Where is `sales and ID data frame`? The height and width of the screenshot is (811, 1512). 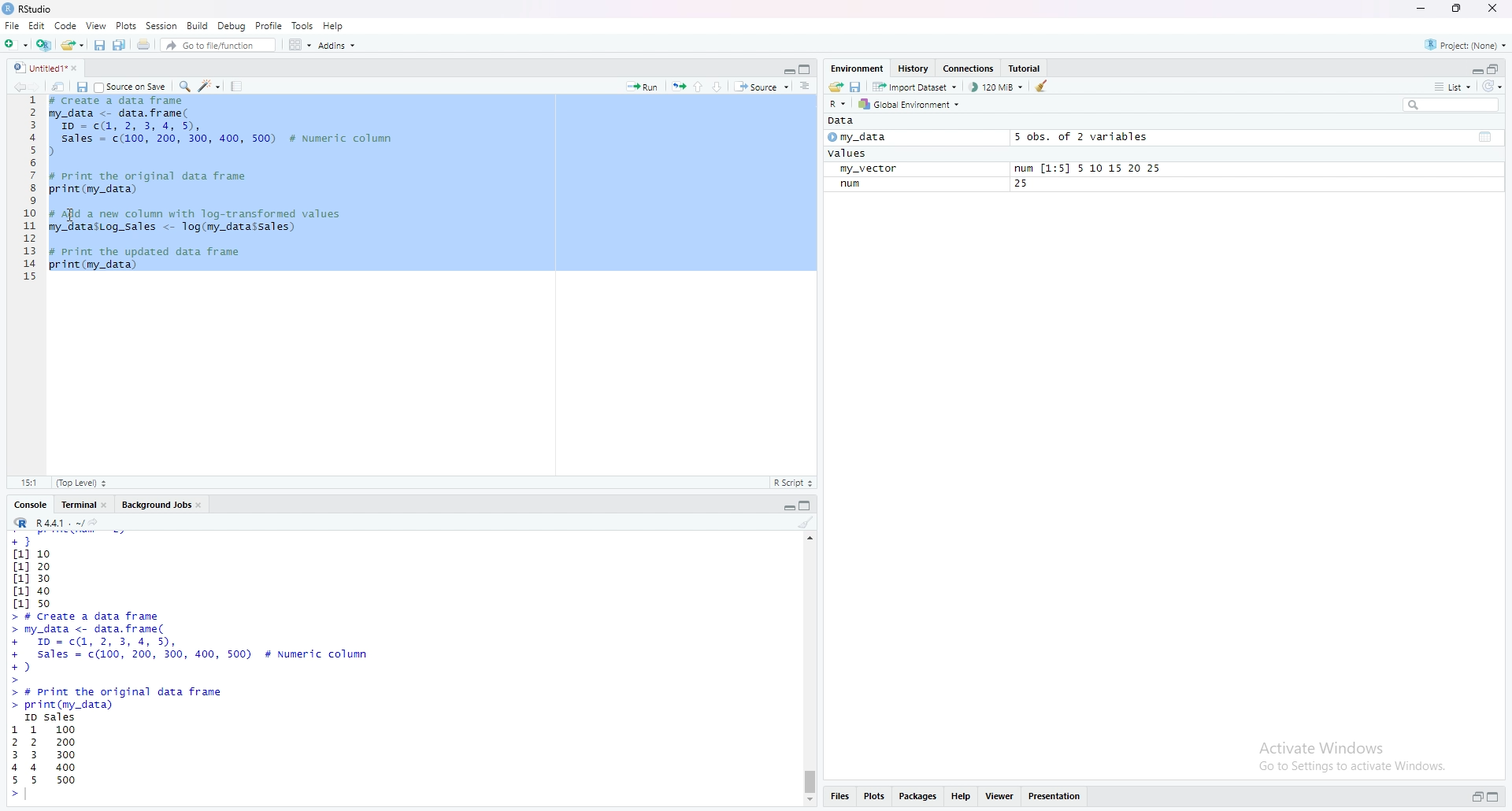 sales and ID data frame is located at coordinates (224, 135).